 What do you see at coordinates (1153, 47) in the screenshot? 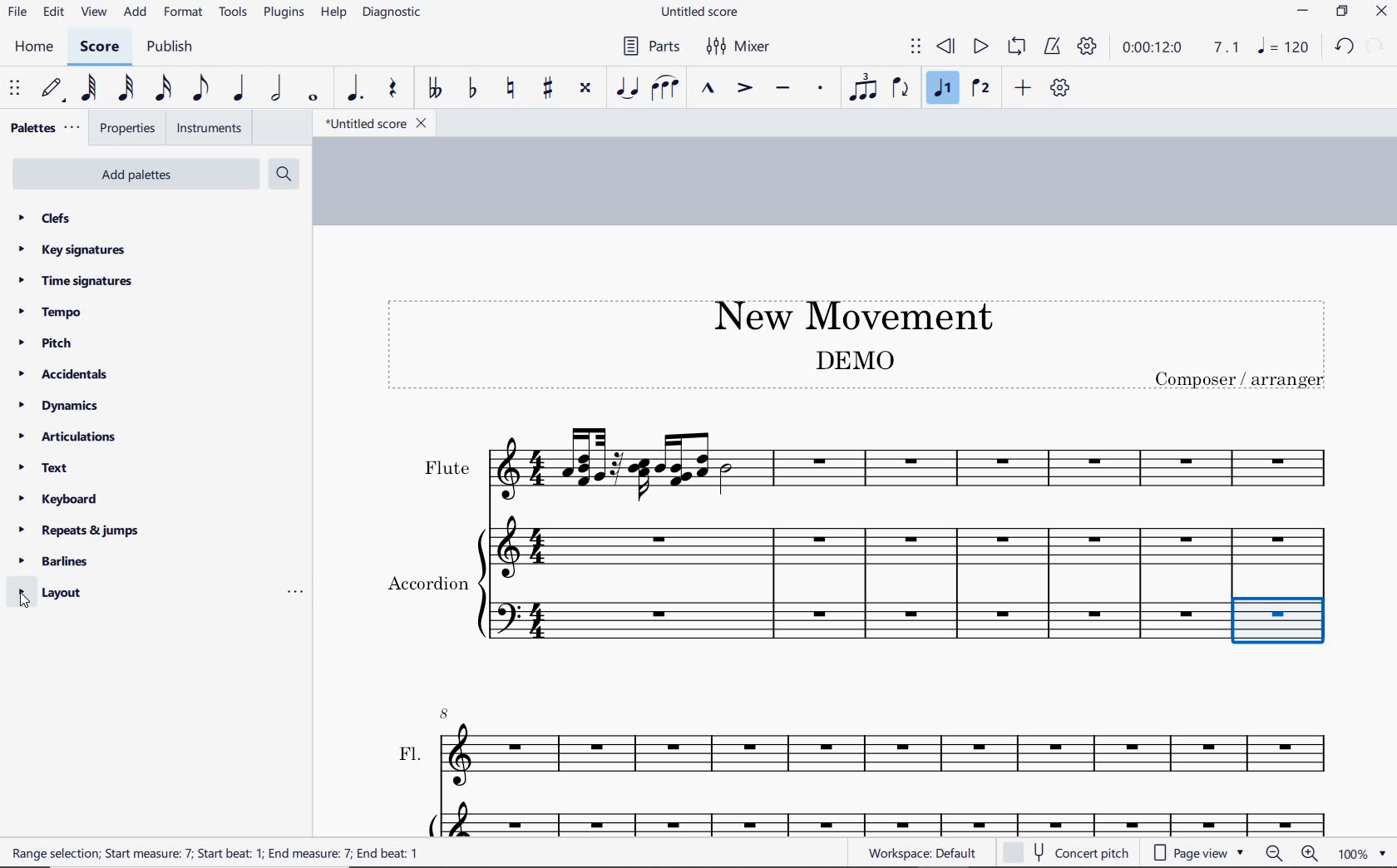
I see `playback time` at bounding box center [1153, 47].